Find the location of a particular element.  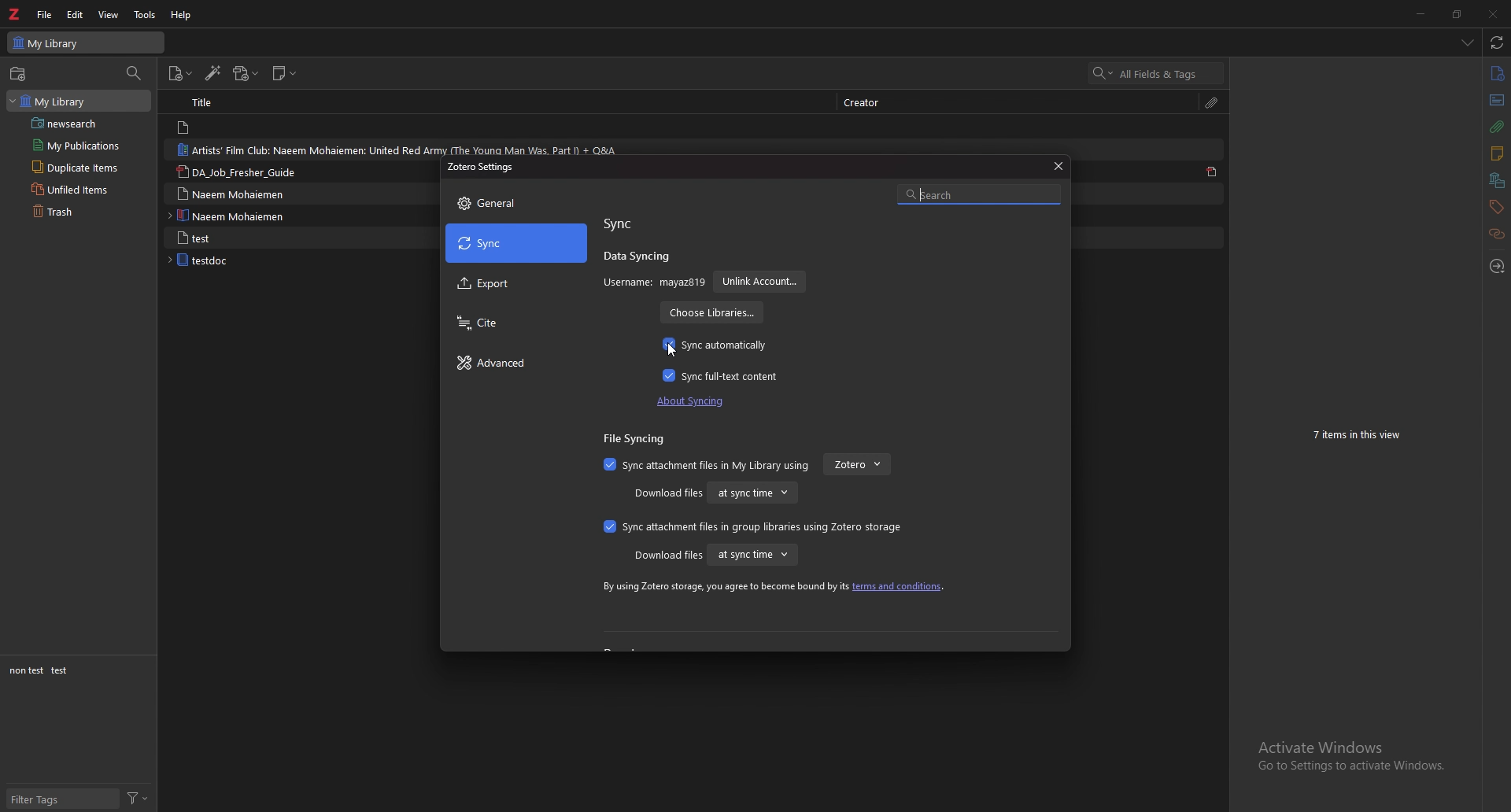

filter is located at coordinates (137, 797).